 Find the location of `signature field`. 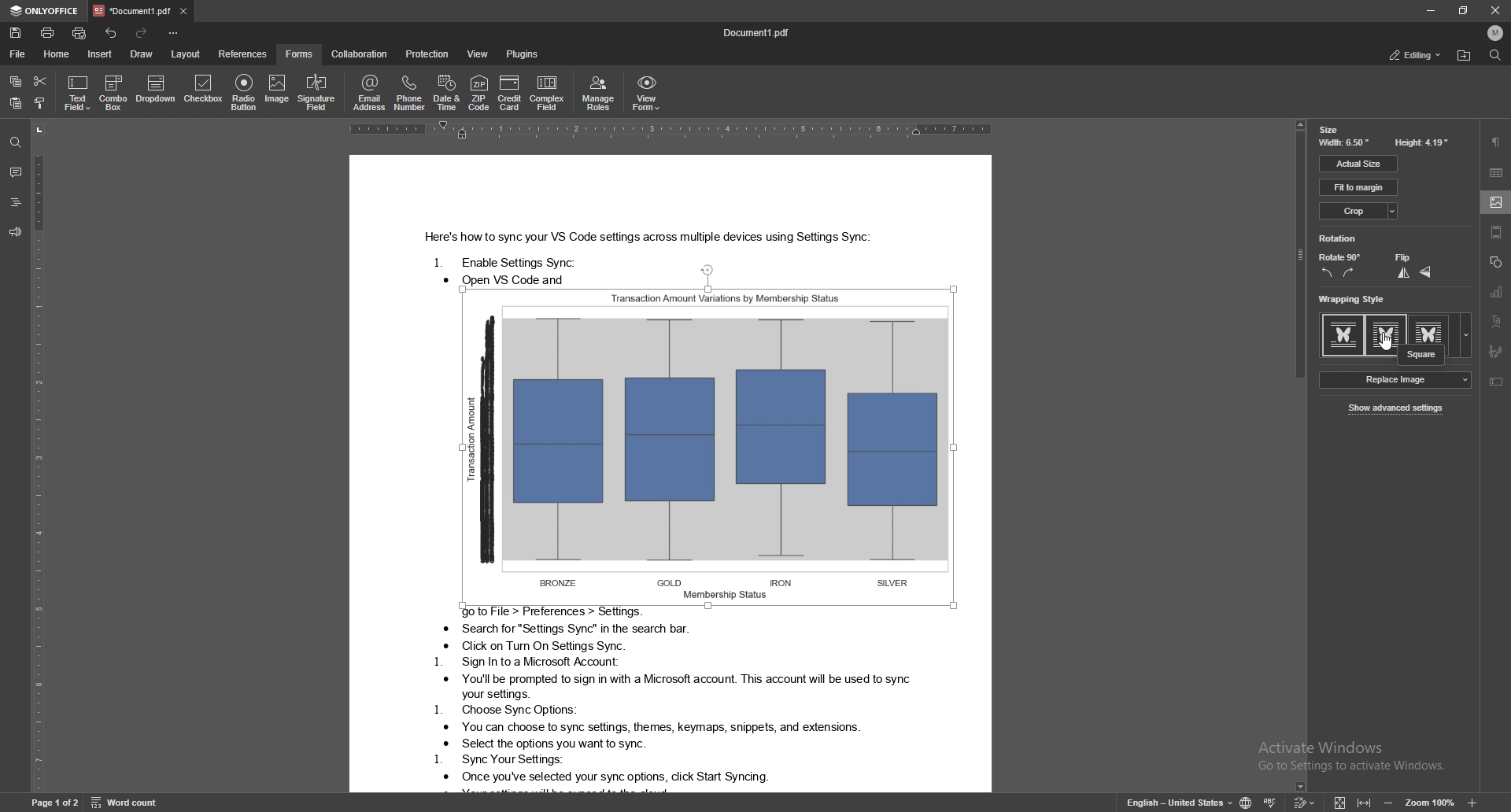

signature field is located at coordinates (1495, 351).